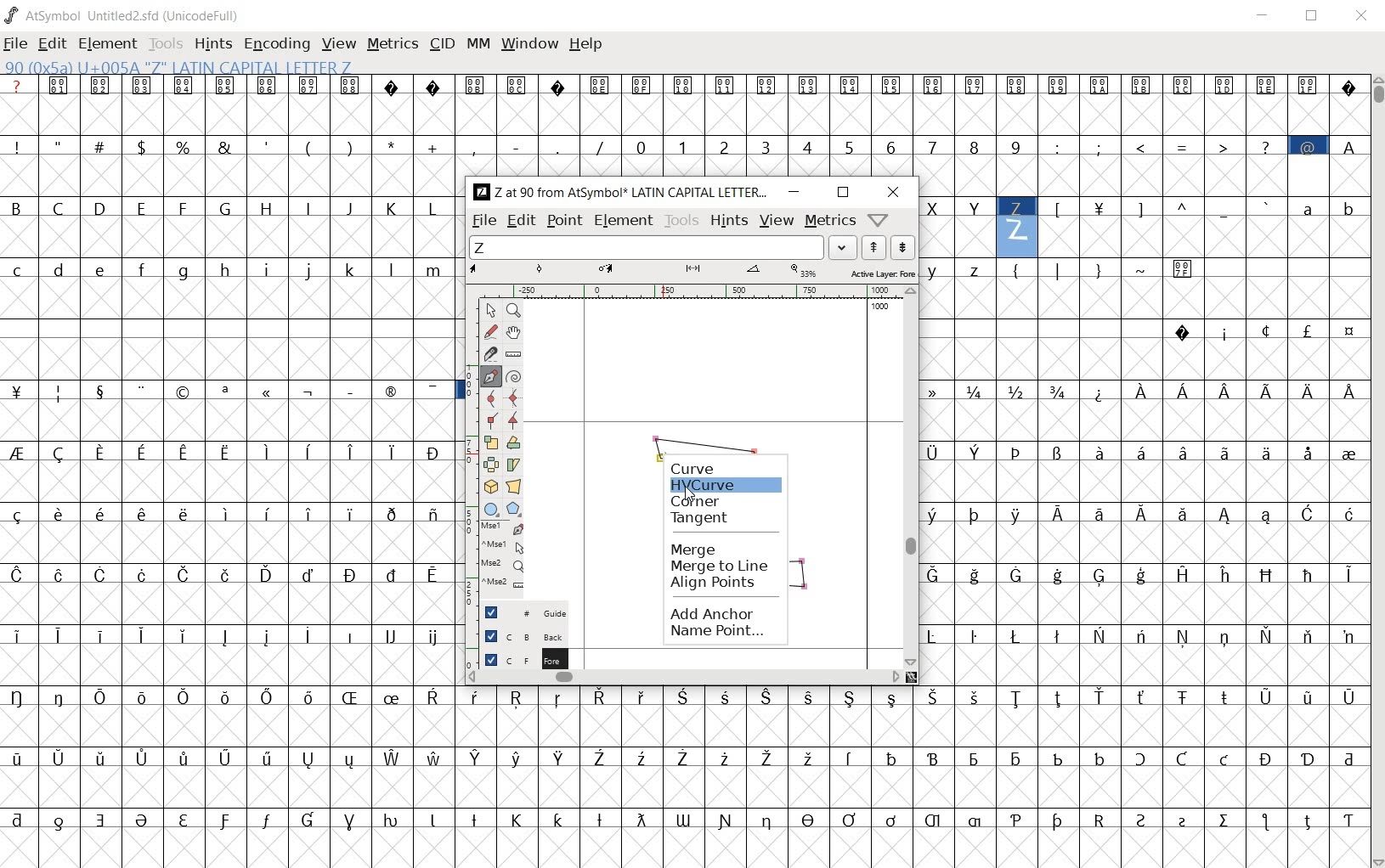  Describe the element at coordinates (515, 332) in the screenshot. I see `scroll by hand` at that location.